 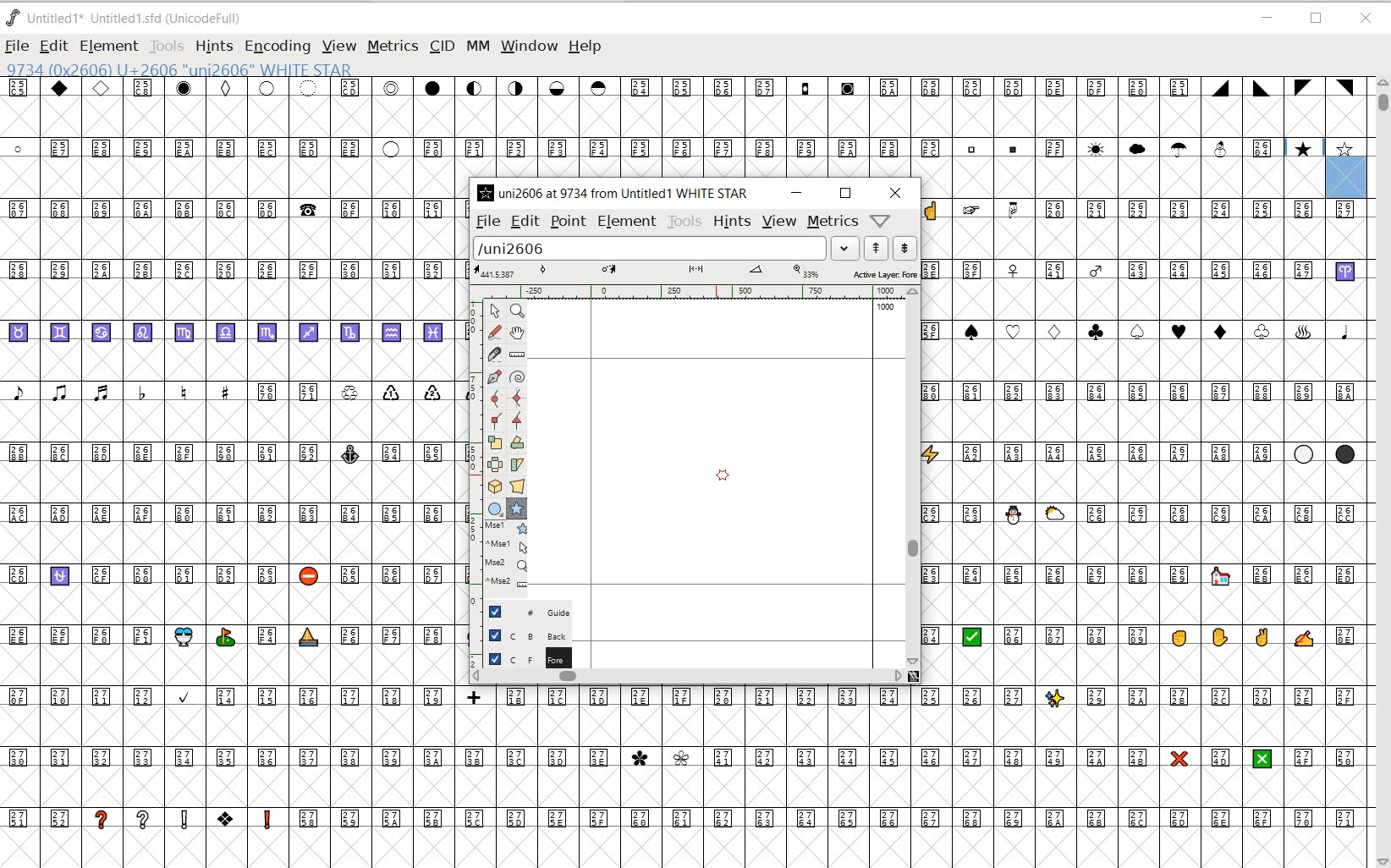 What do you see at coordinates (517, 442) in the screenshot?
I see `ROTATE THE SELECTION` at bounding box center [517, 442].